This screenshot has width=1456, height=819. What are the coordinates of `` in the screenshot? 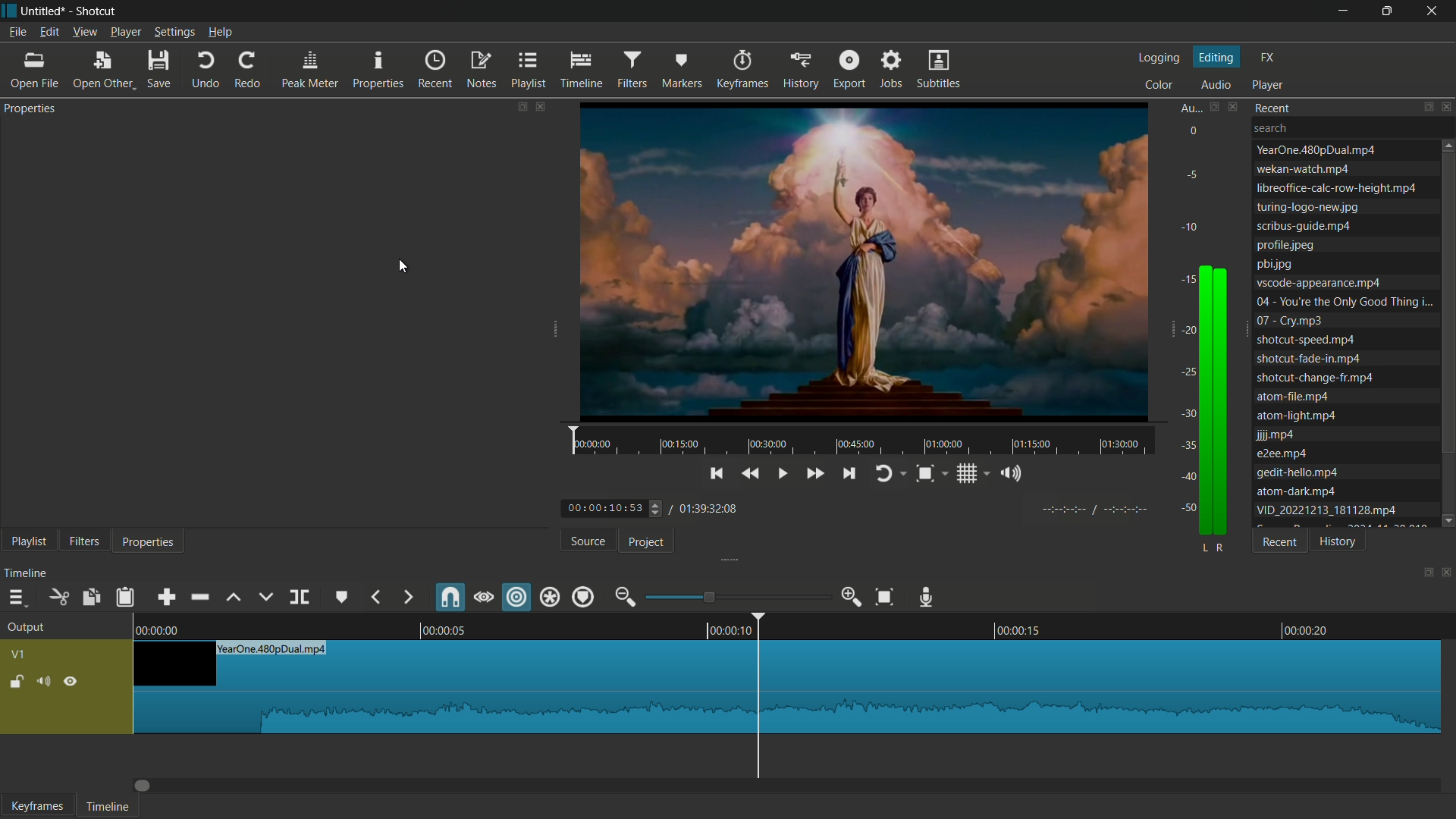 It's located at (1226, 548).